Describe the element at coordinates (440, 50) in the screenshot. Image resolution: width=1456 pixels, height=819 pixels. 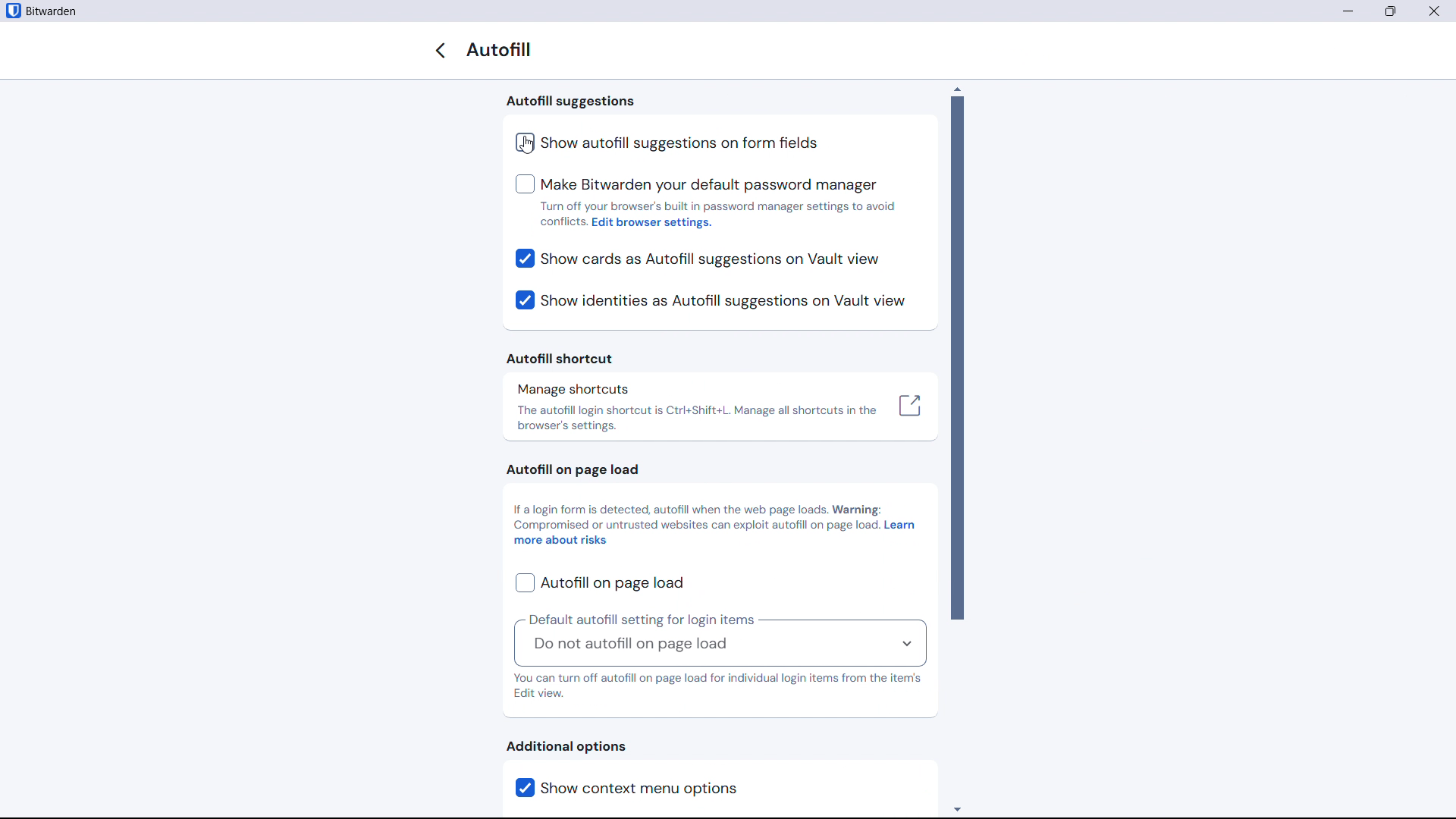
I see `Return to previous menu` at that location.